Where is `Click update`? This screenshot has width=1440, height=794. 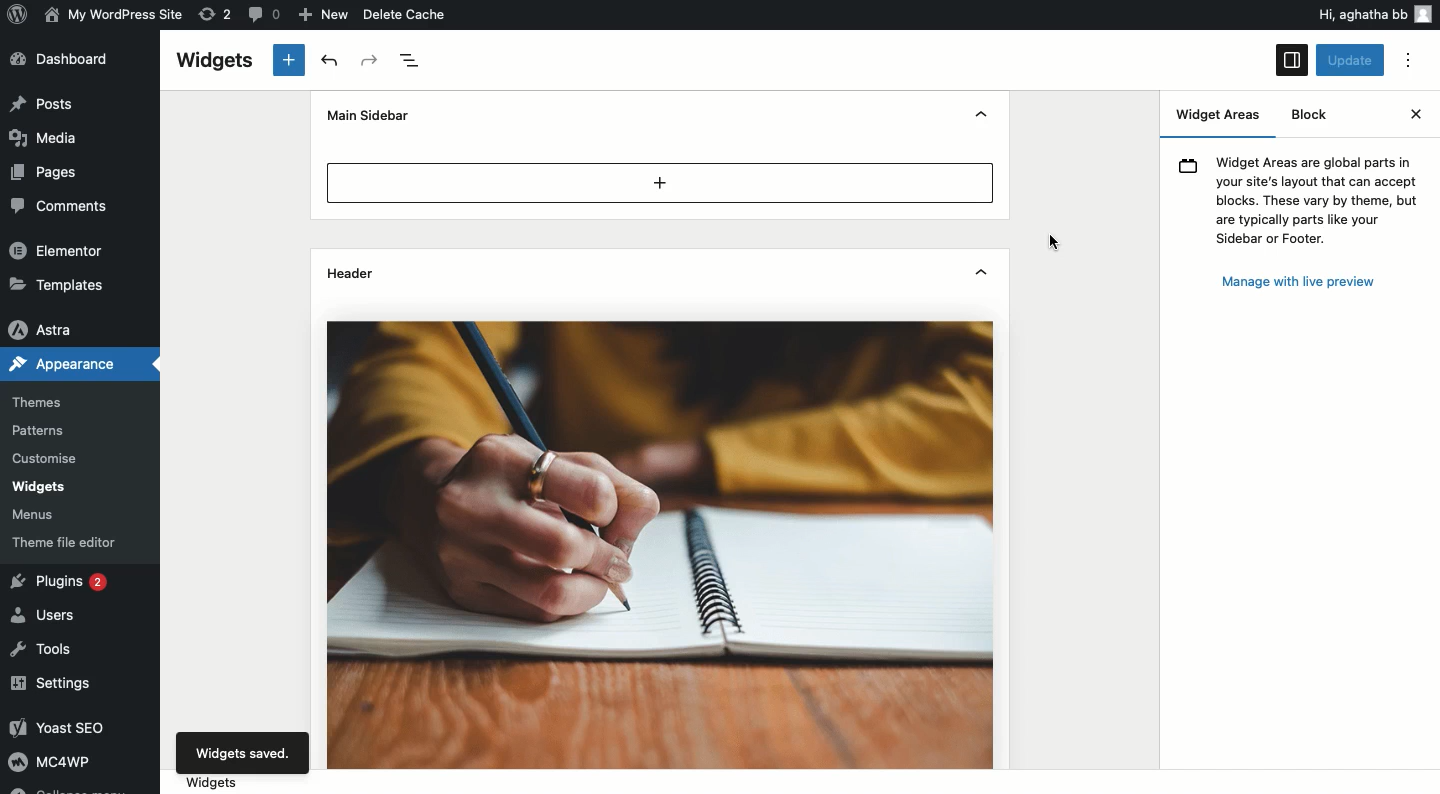 Click update is located at coordinates (1352, 61).